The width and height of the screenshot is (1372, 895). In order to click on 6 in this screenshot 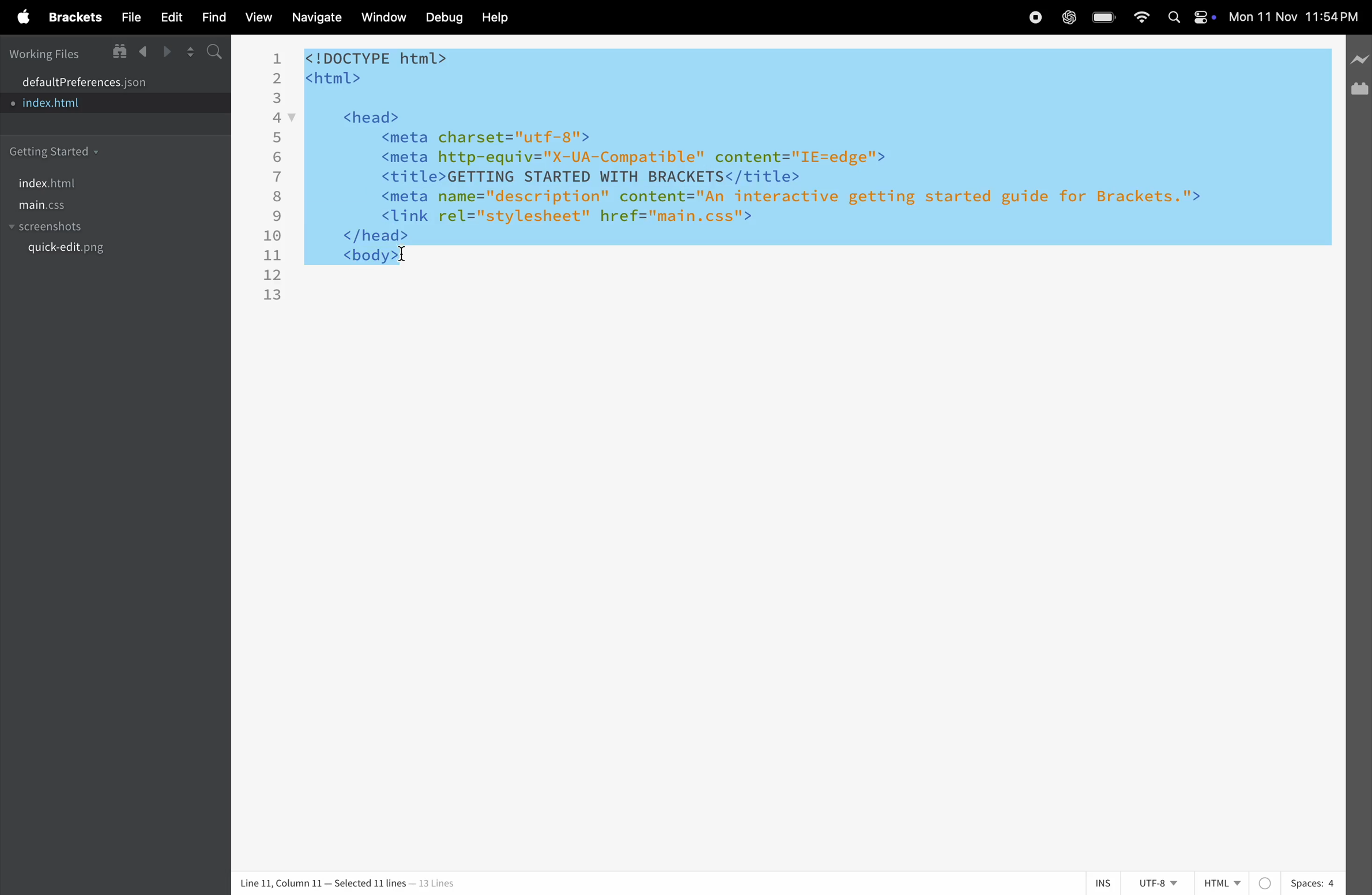, I will do `click(278, 157)`.